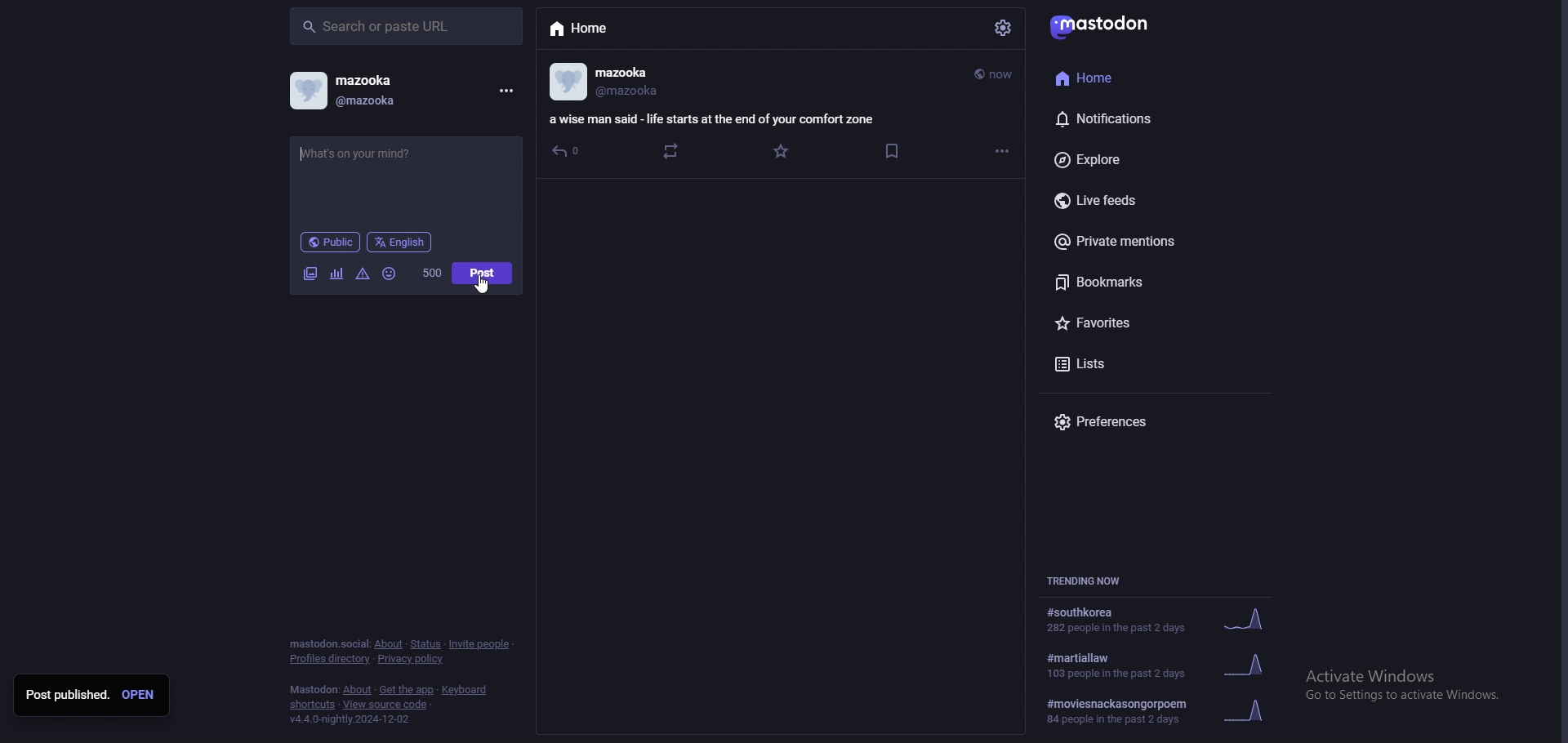 This screenshot has width=1568, height=743. I want to click on language, so click(399, 242).